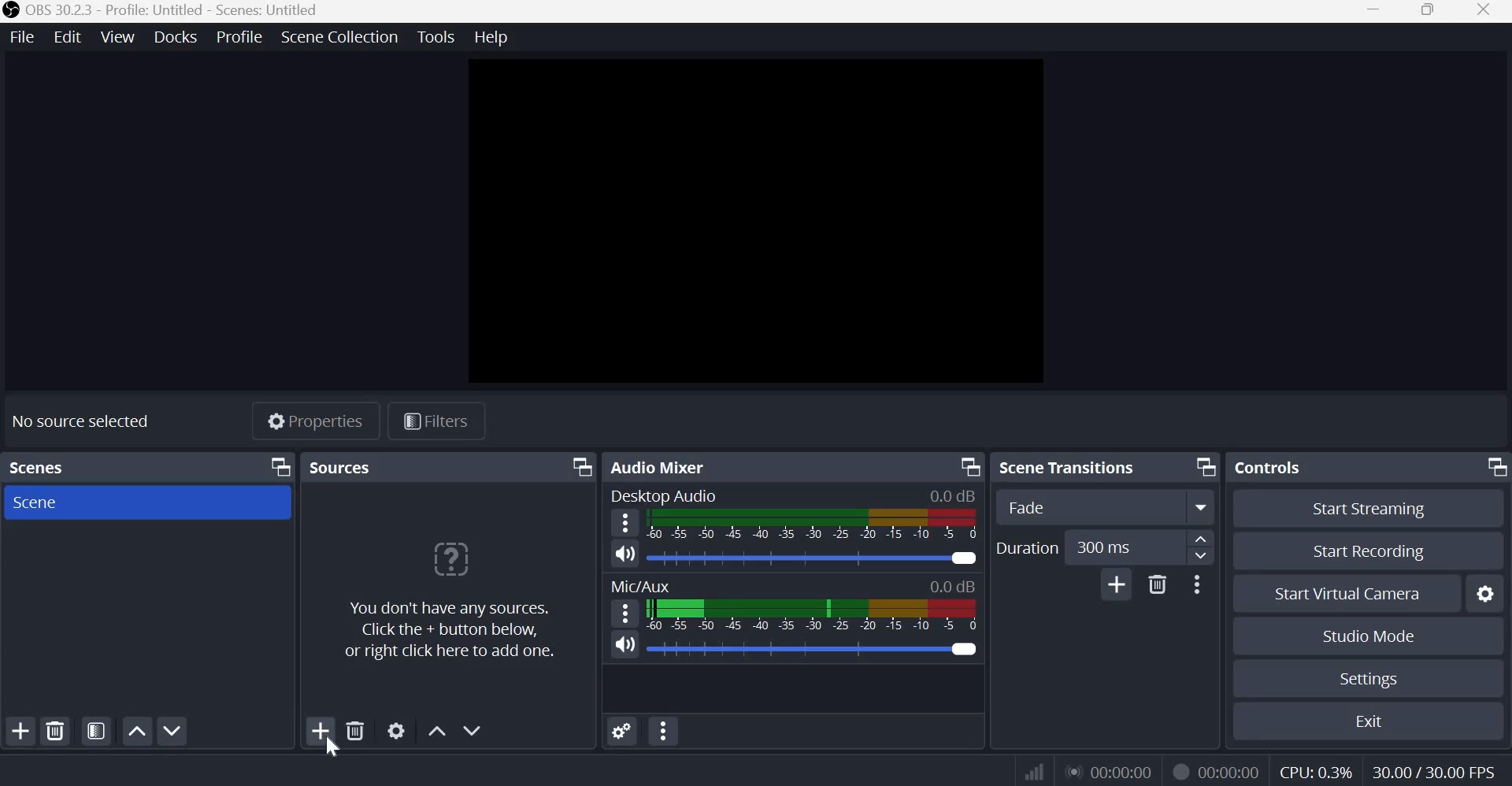 This screenshot has height=786, width=1512. What do you see at coordinates (1366, 636) in the screenshot?
I see `Studio mode` at bounding box center [1366, 636].